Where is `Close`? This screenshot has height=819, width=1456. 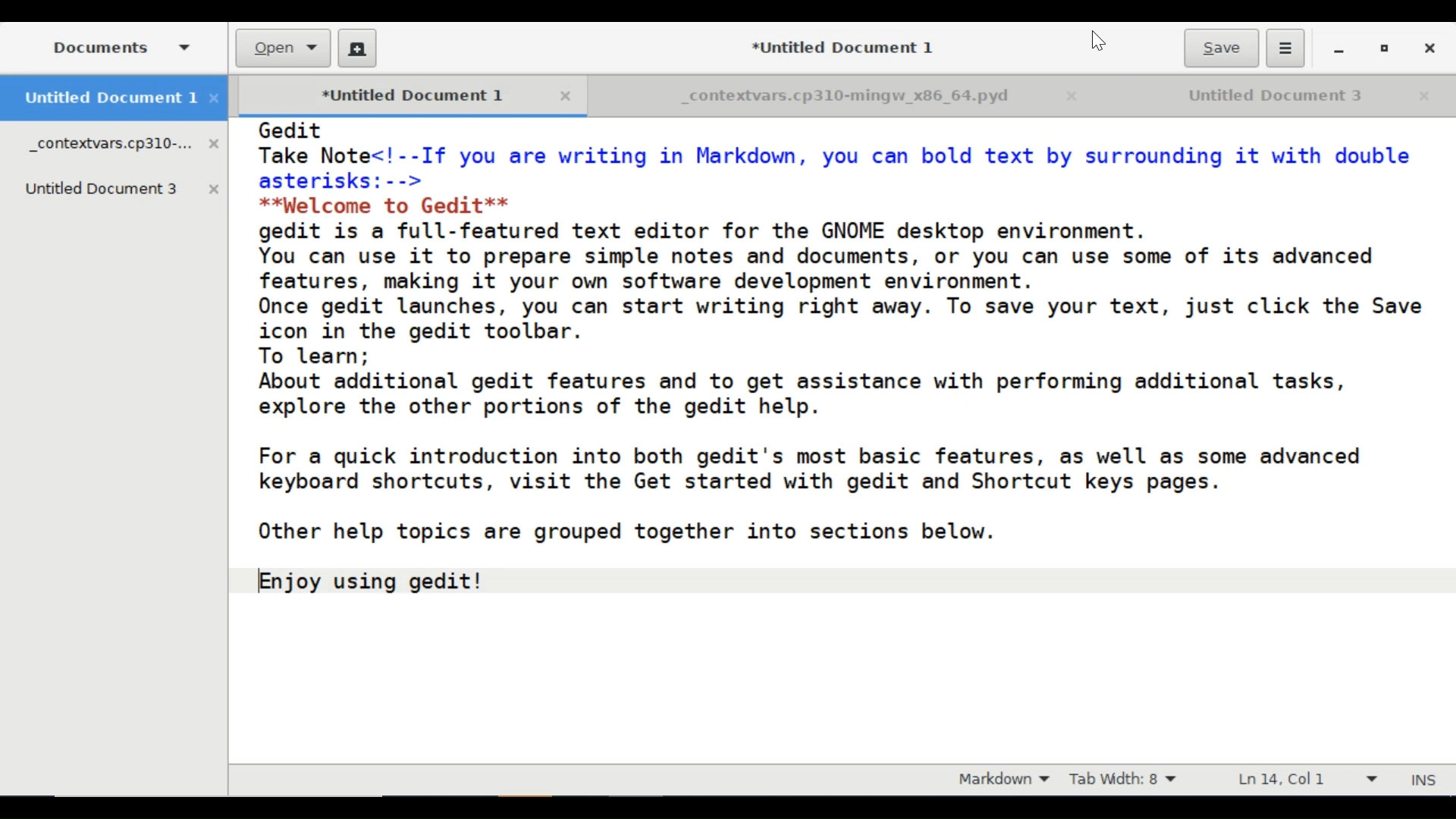
Close is located at coordinates (1078, 97).